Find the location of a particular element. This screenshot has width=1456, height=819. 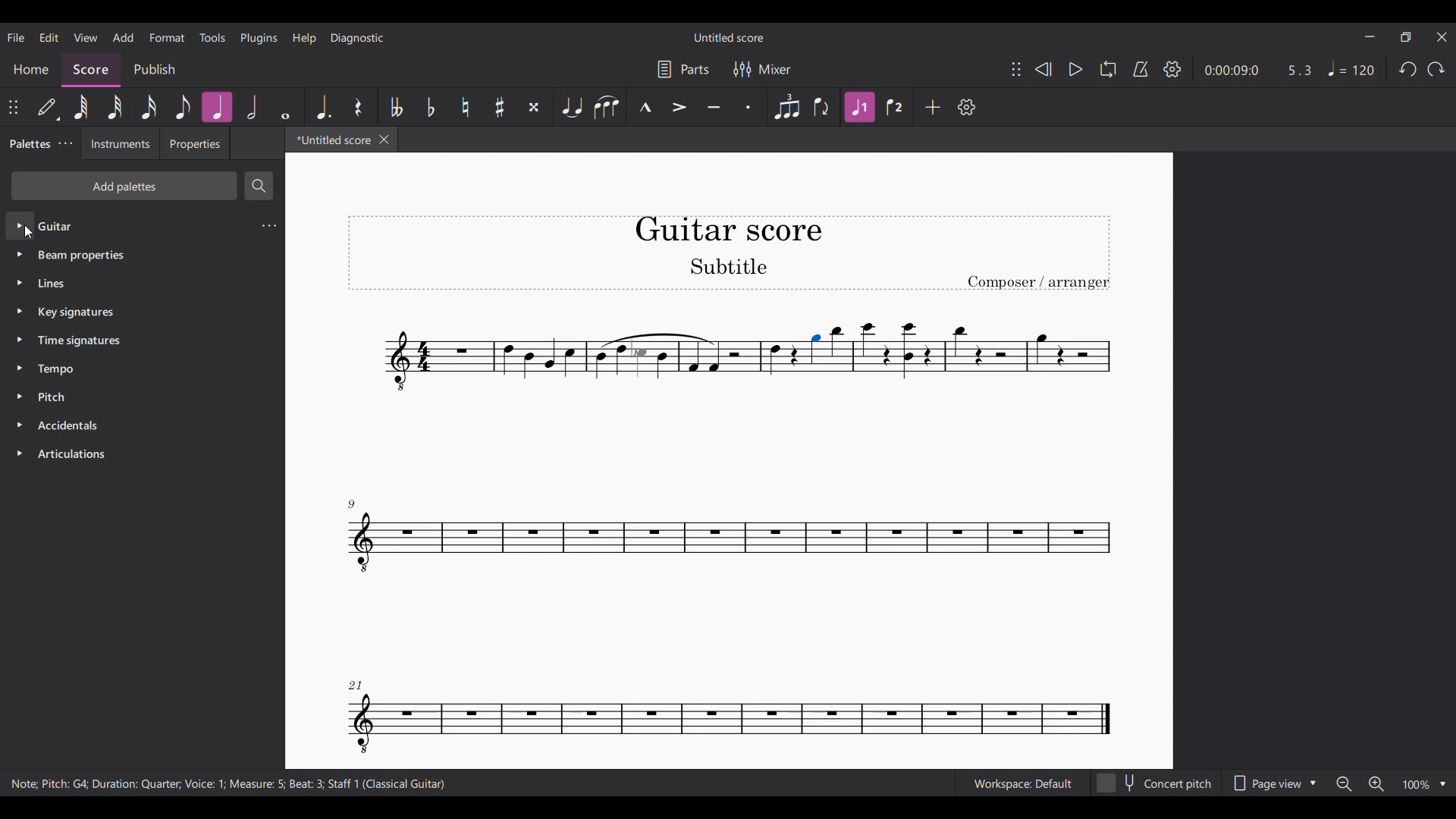

Minimize is located at coordinates (1370, 36).